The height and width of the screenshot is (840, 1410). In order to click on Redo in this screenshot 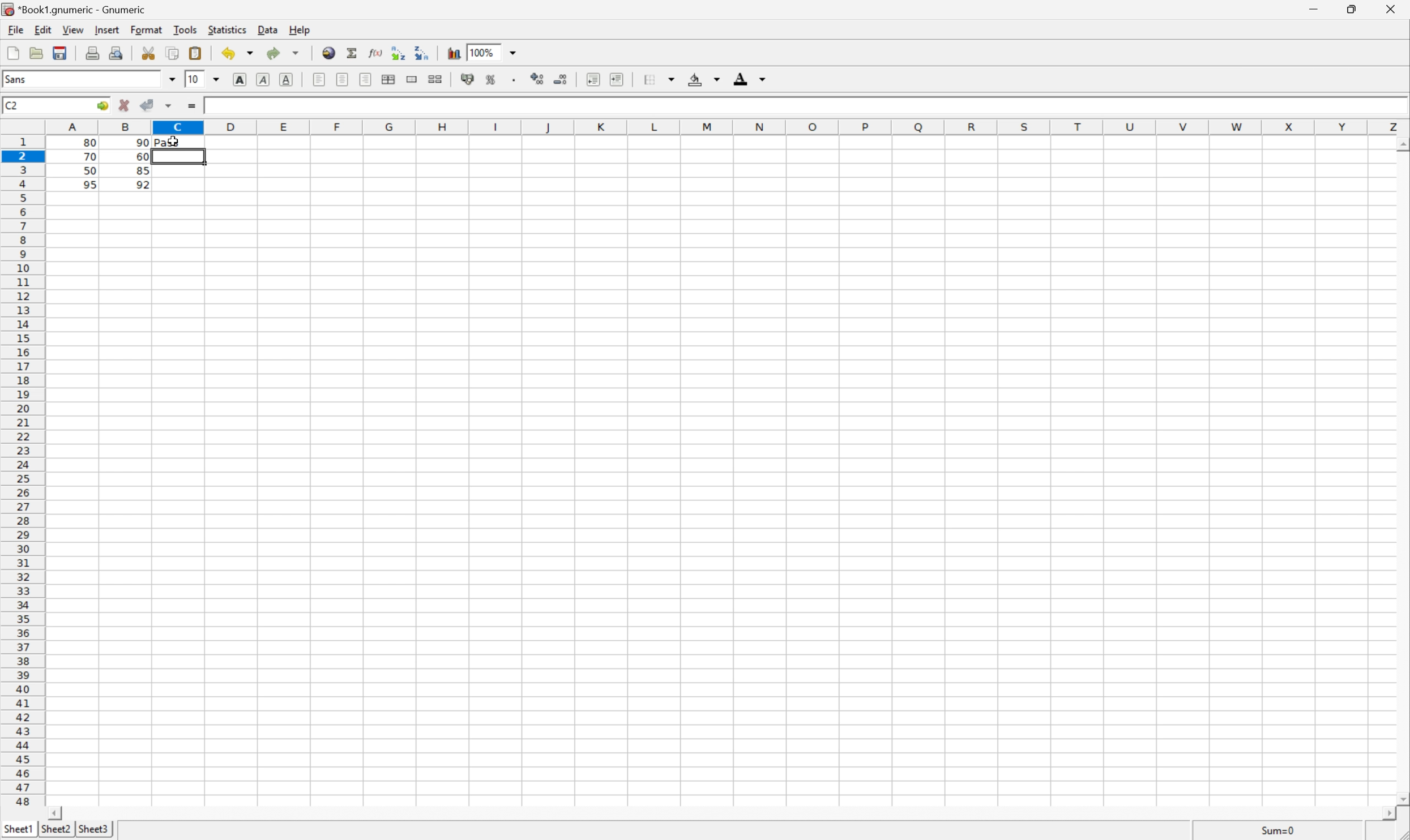, I will do `click(271, 51)`.